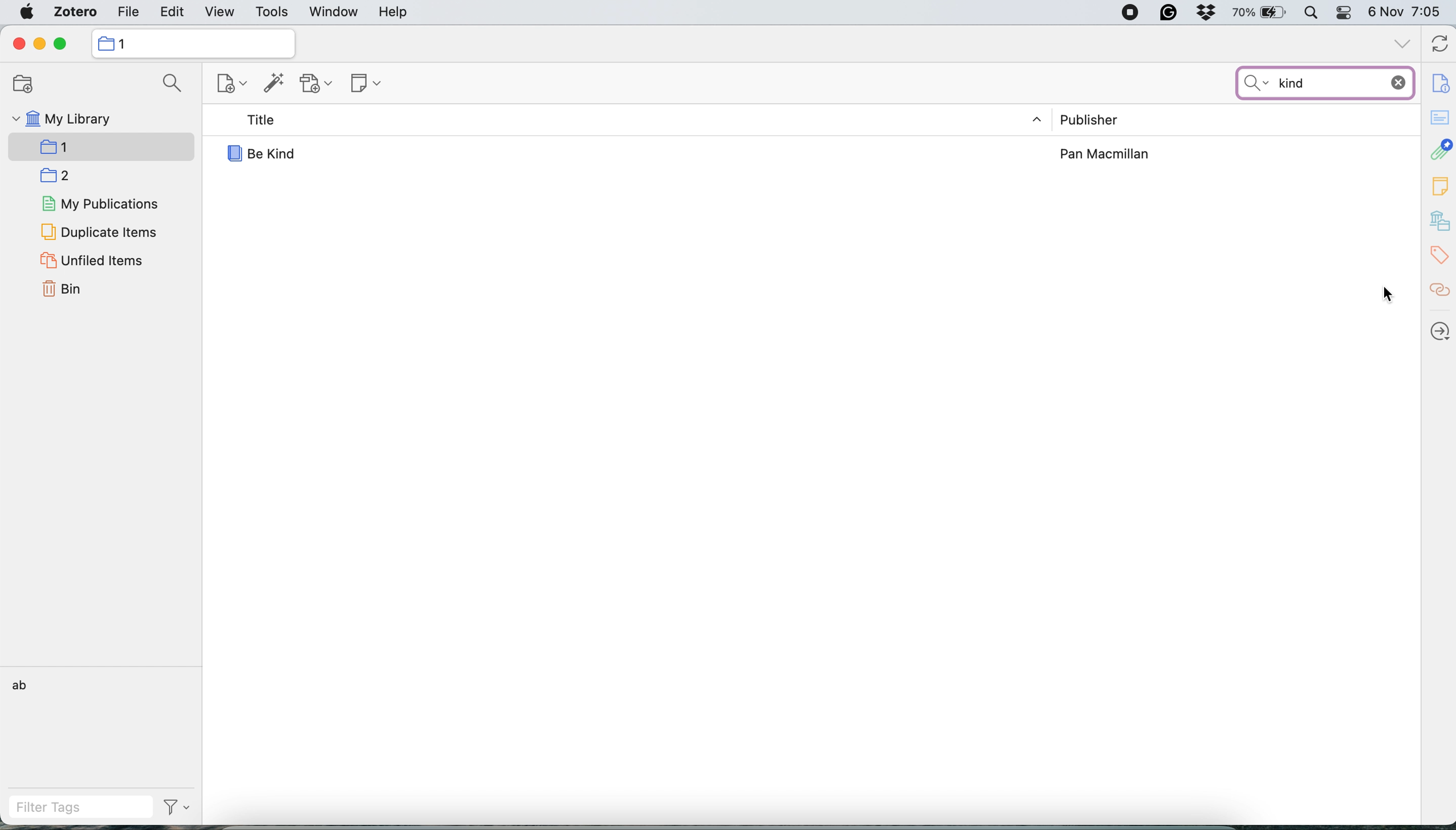 The width and height of the screenshot is (1456, 830). I want to click on dropbox, so click(1210, 13).